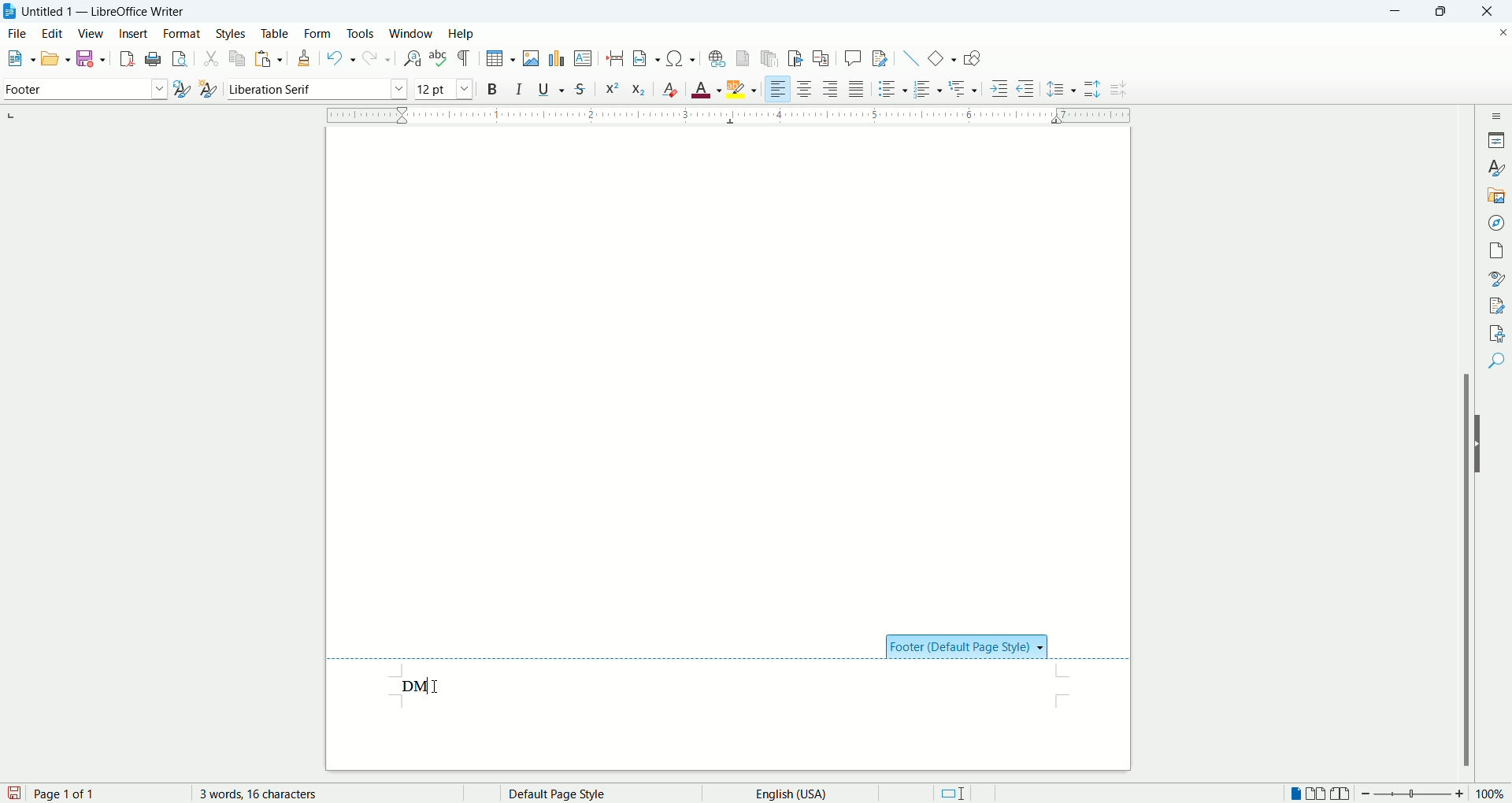  I want to click on insert image, so click(534, 58).